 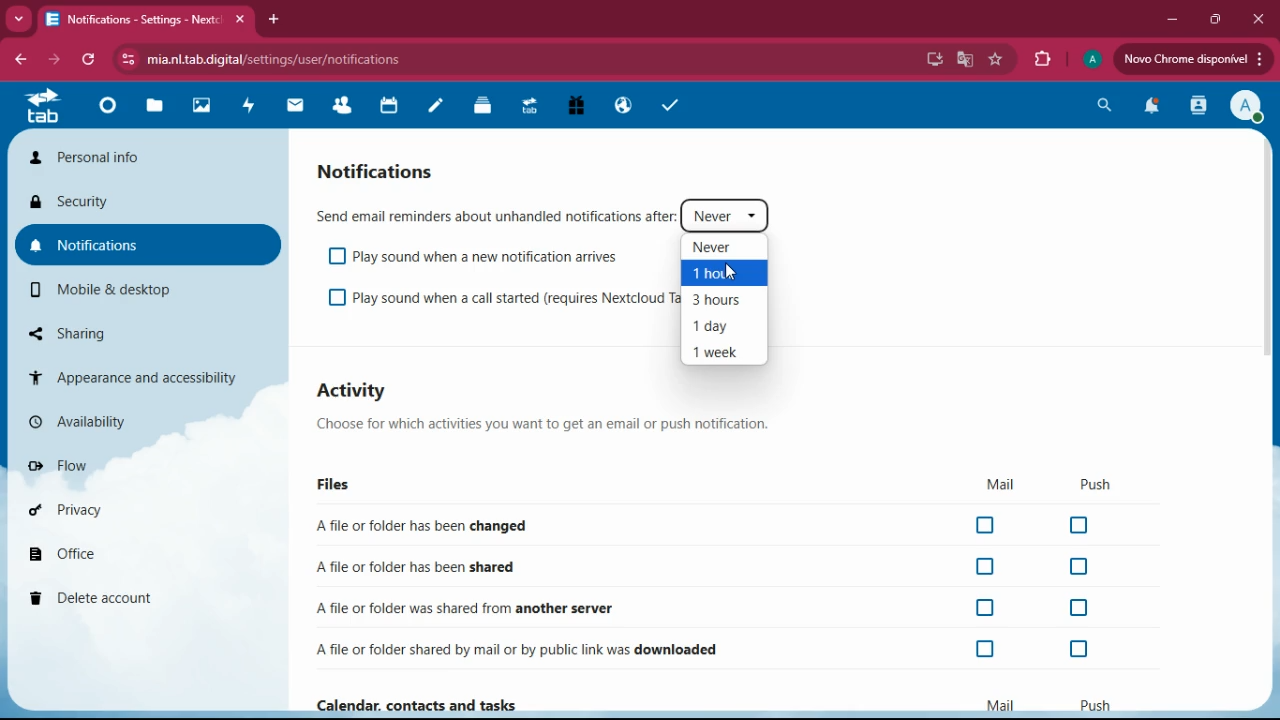 I want to click on sharing, so click(x=108, y=333).